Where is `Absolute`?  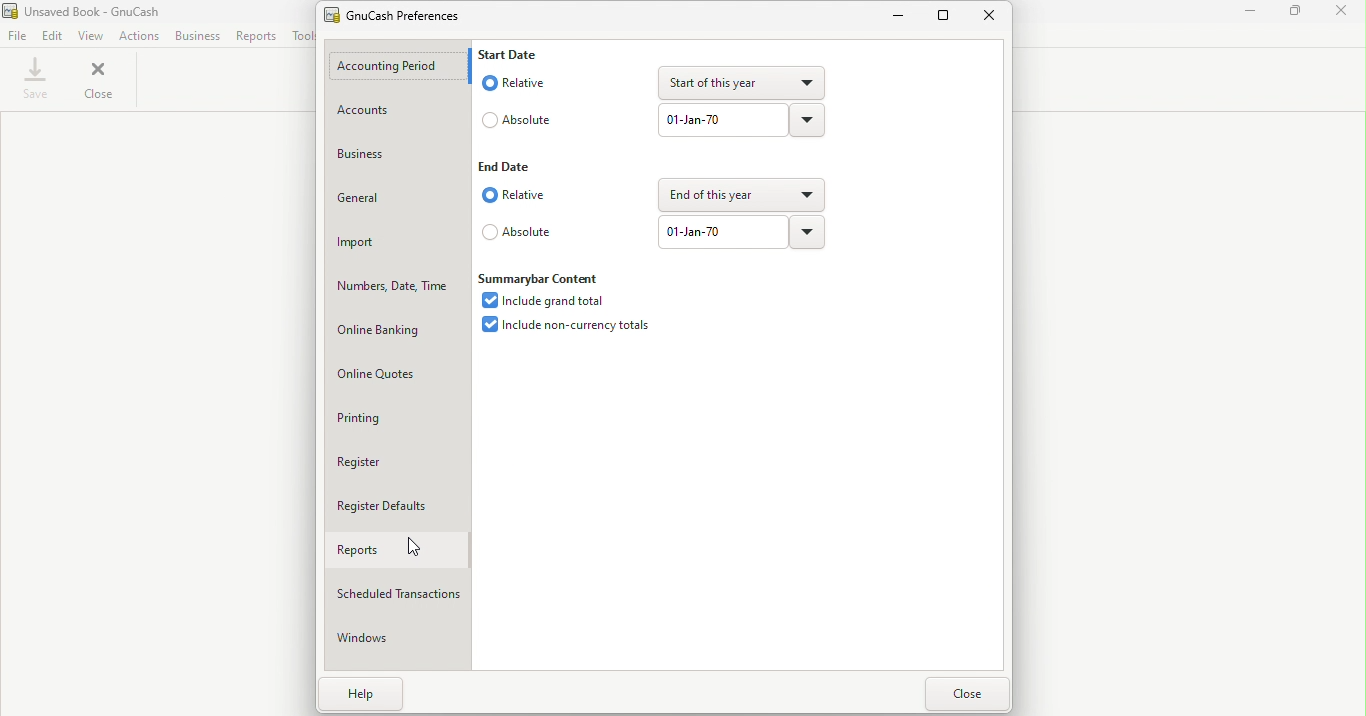
Absolute is located at coordinates (523, 121).